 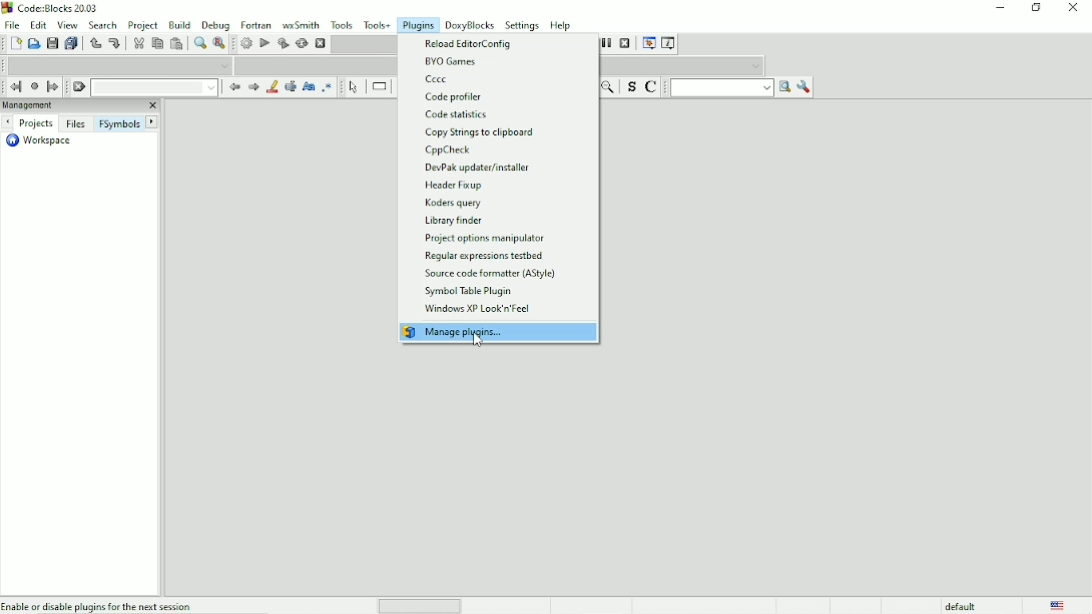 What do you see at coordinates (154, 87) in the screenshot?
I see `Drop down` at bounding box center [154, 87].